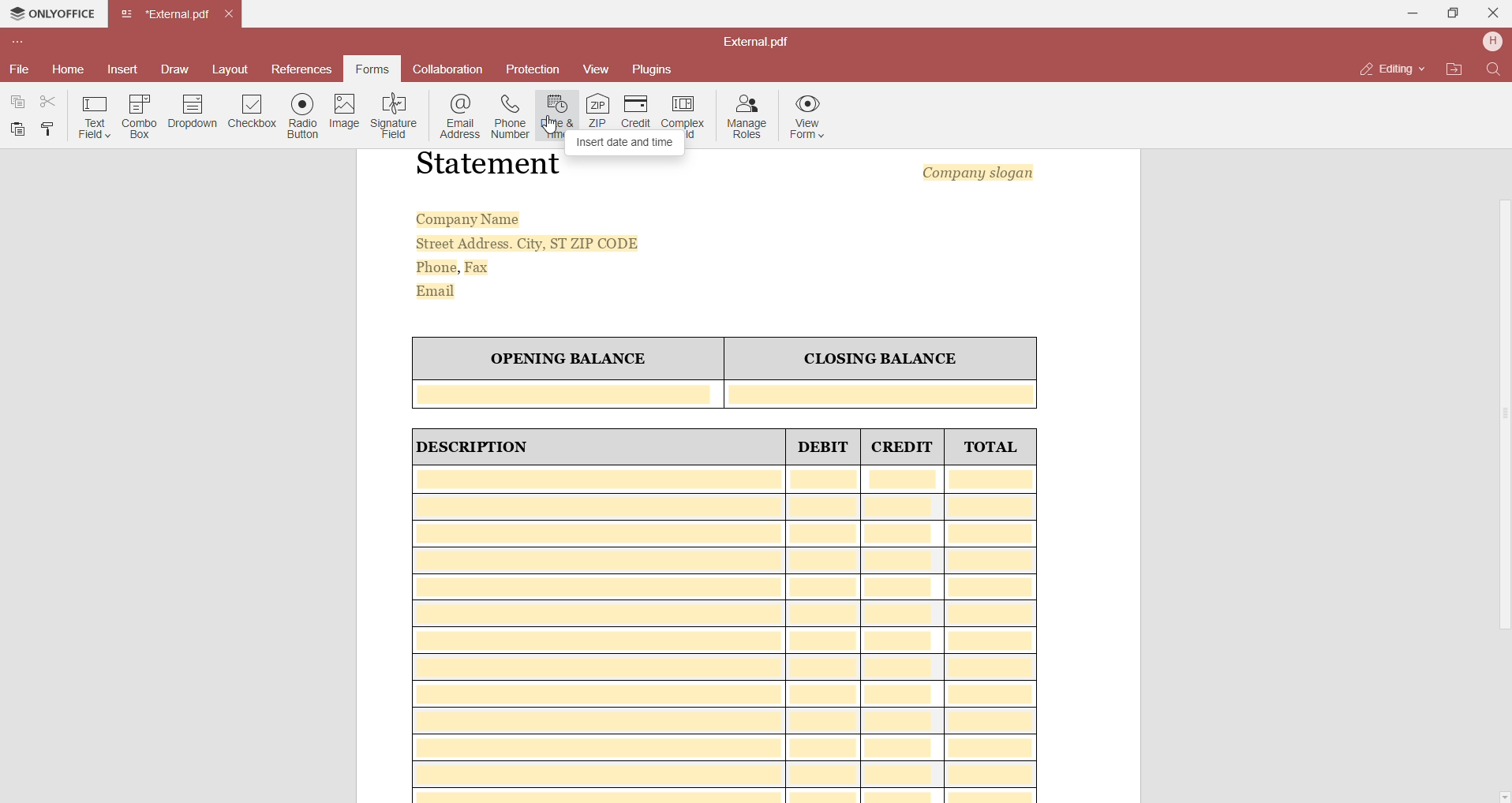 This screenshot has width=1512, height=803. I want to click on Cut, so click(47, 99).